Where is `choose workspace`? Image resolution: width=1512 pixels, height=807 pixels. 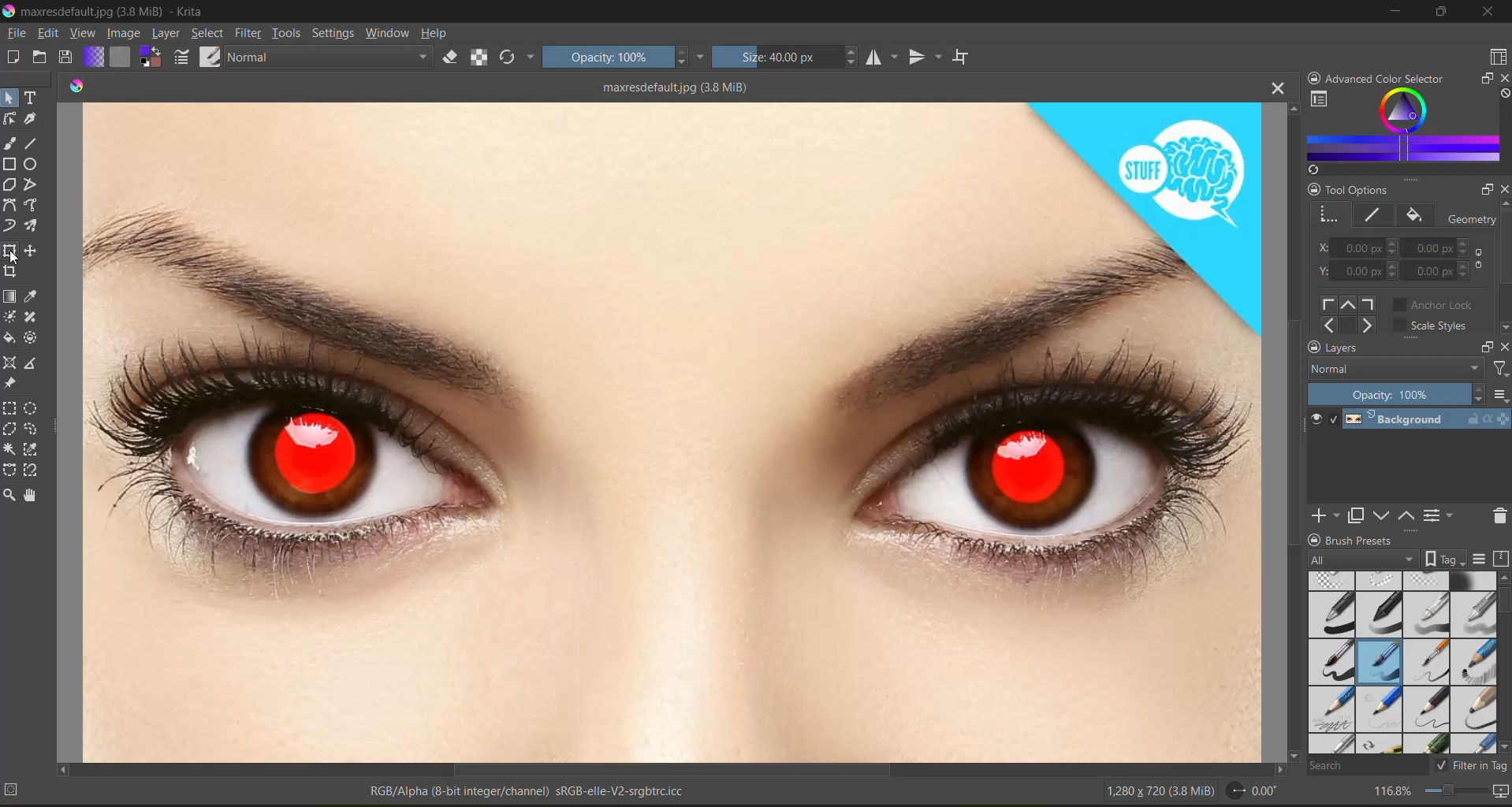 choose workspace is located at coordinates (1498, 57).